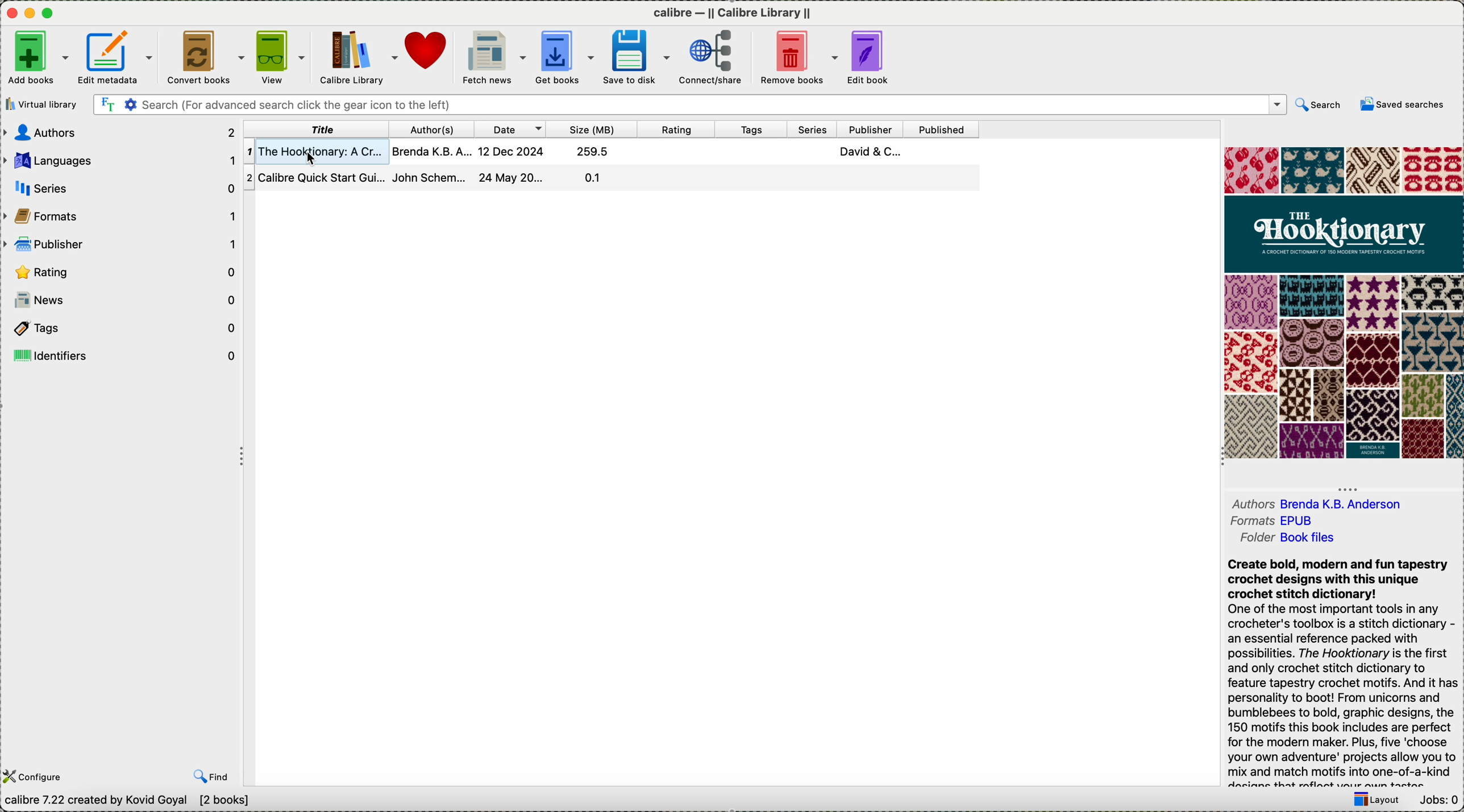  What do you see at coordinates (1275, 522) in the screenshot?
I see `formats` at bounding box center [1275, 522].